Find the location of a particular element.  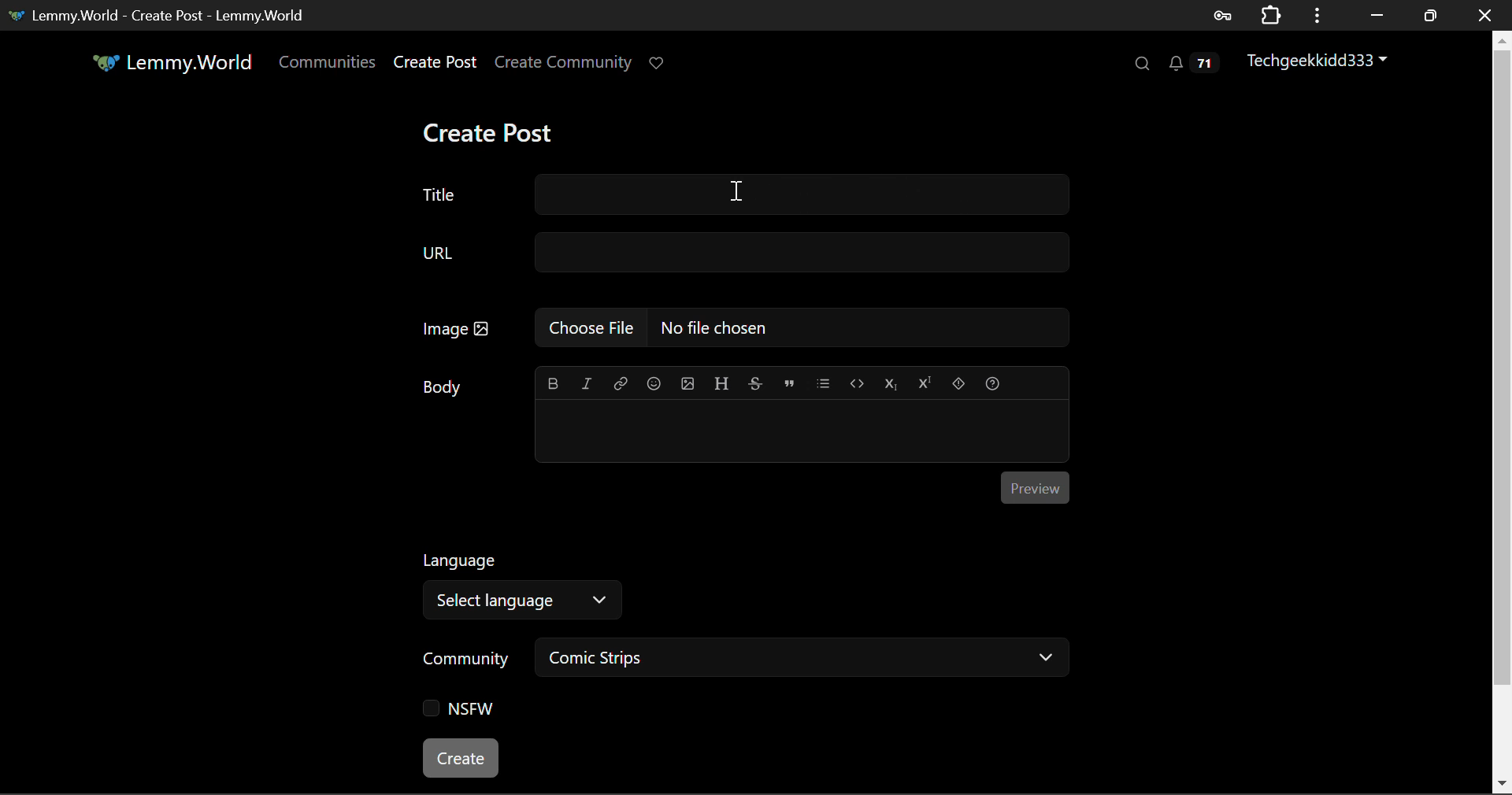

Title is located at coordinates (742, 197).